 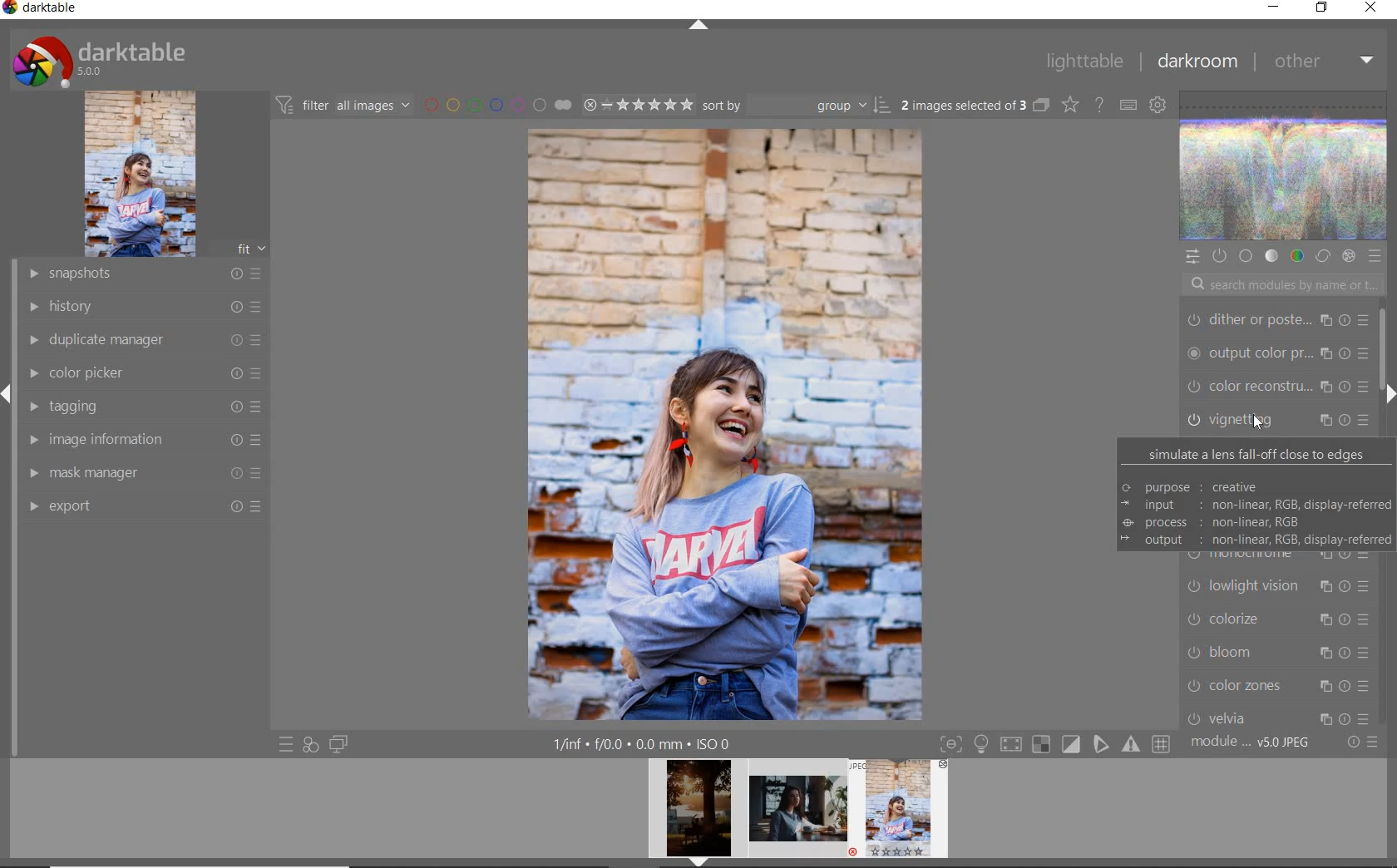 What do you see at coordinates (1247, 257) in the screenshot?
I see `base ` at bounding box center [1247, 257].